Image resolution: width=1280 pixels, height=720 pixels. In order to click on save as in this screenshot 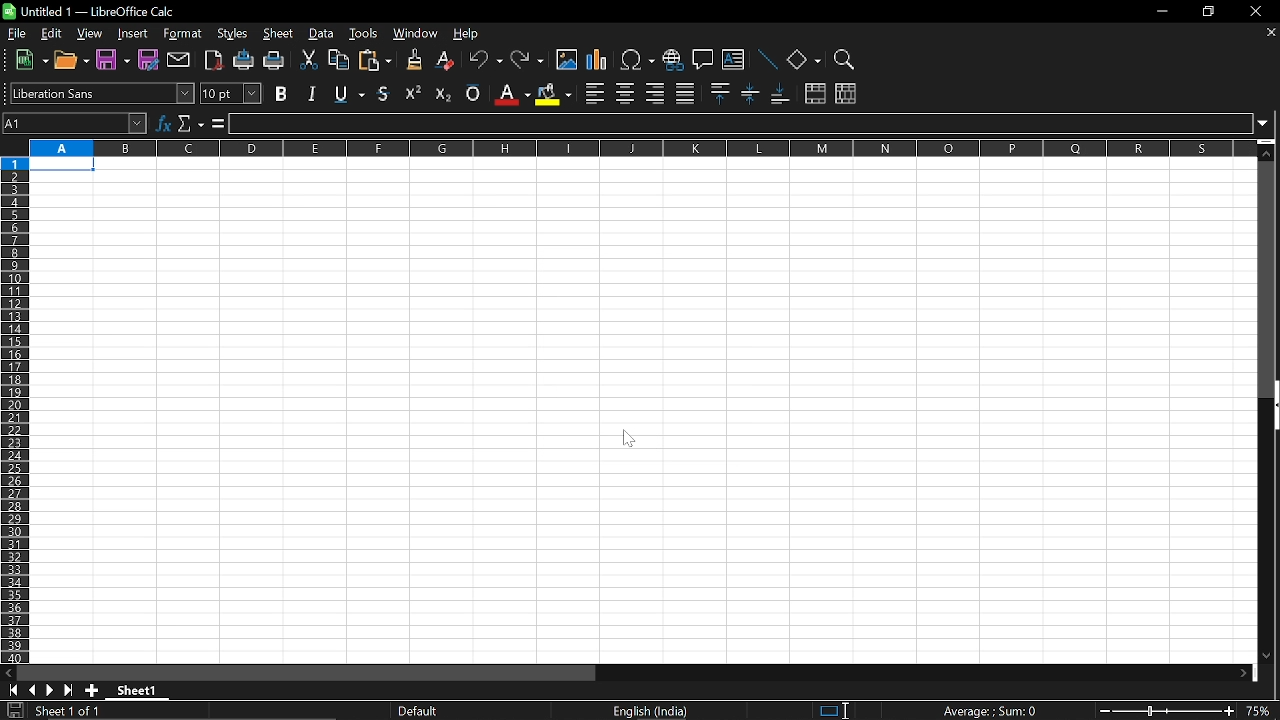, I will do `click(149, 60)`.